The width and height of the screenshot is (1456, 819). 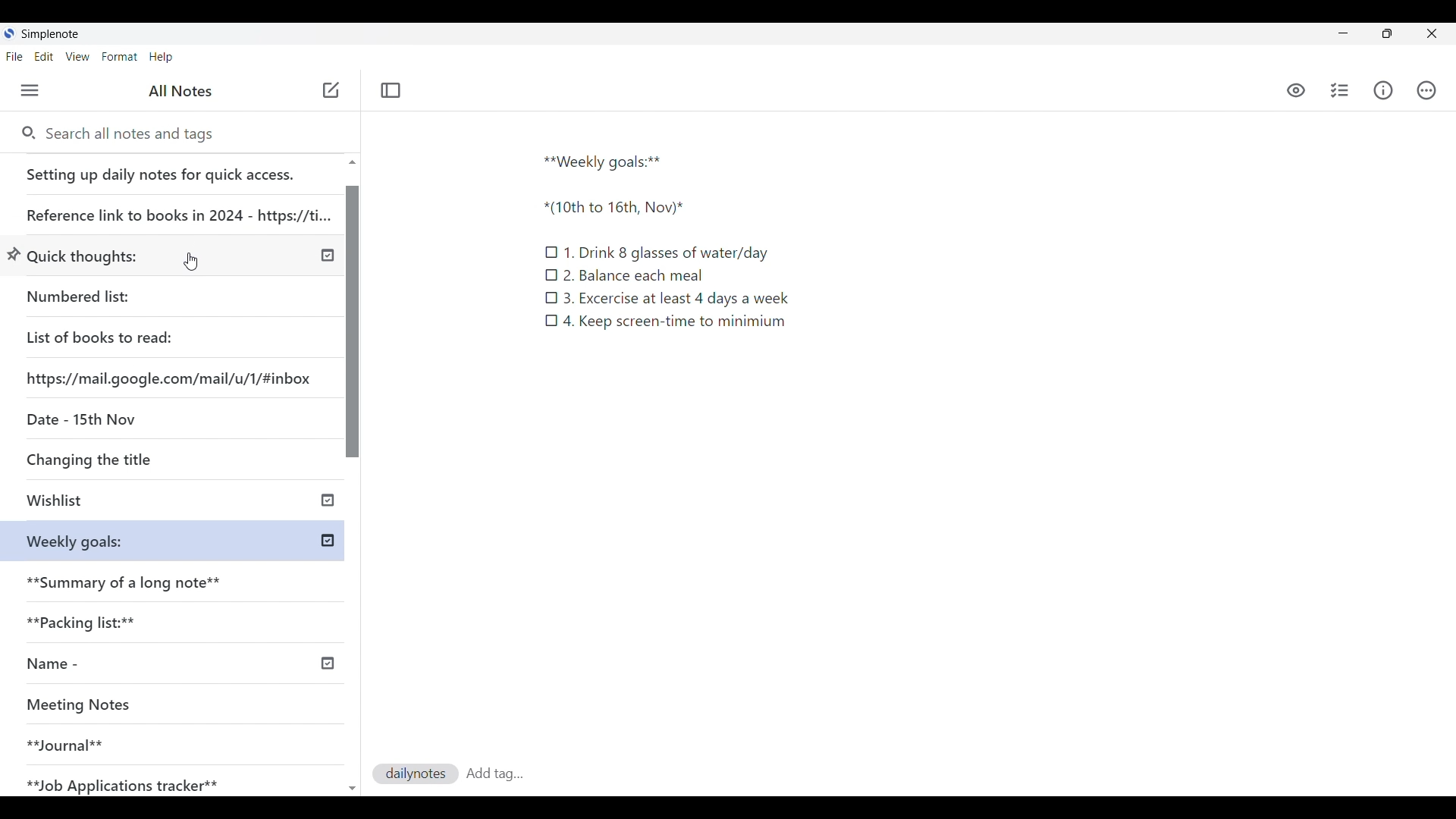 What do you see at coordinates (78, 418) in the screenshot?
I see `Date` at bounding box center [78, 418].